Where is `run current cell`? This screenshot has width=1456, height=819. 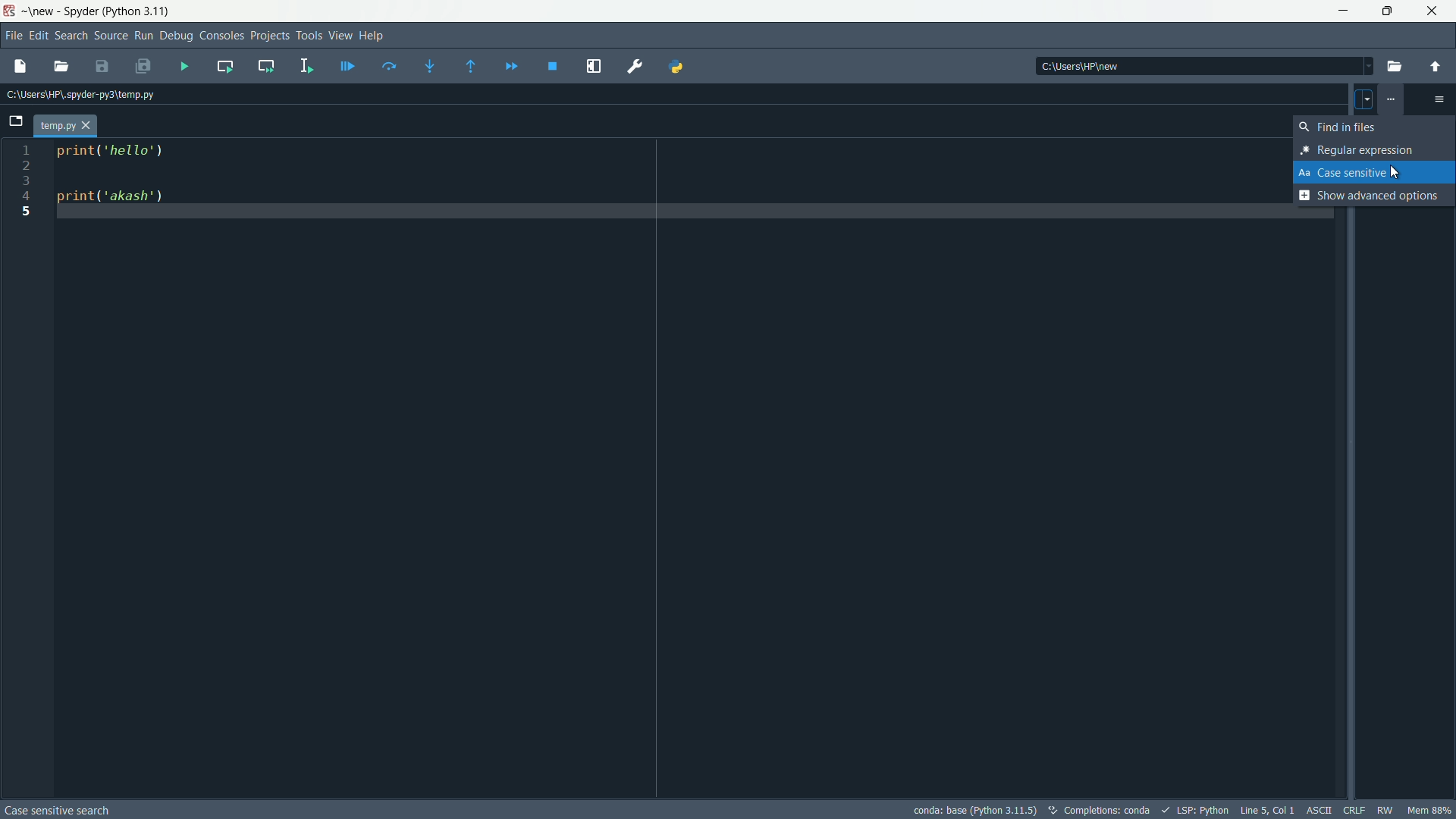
run current cell is located at coordinates (226, 67).